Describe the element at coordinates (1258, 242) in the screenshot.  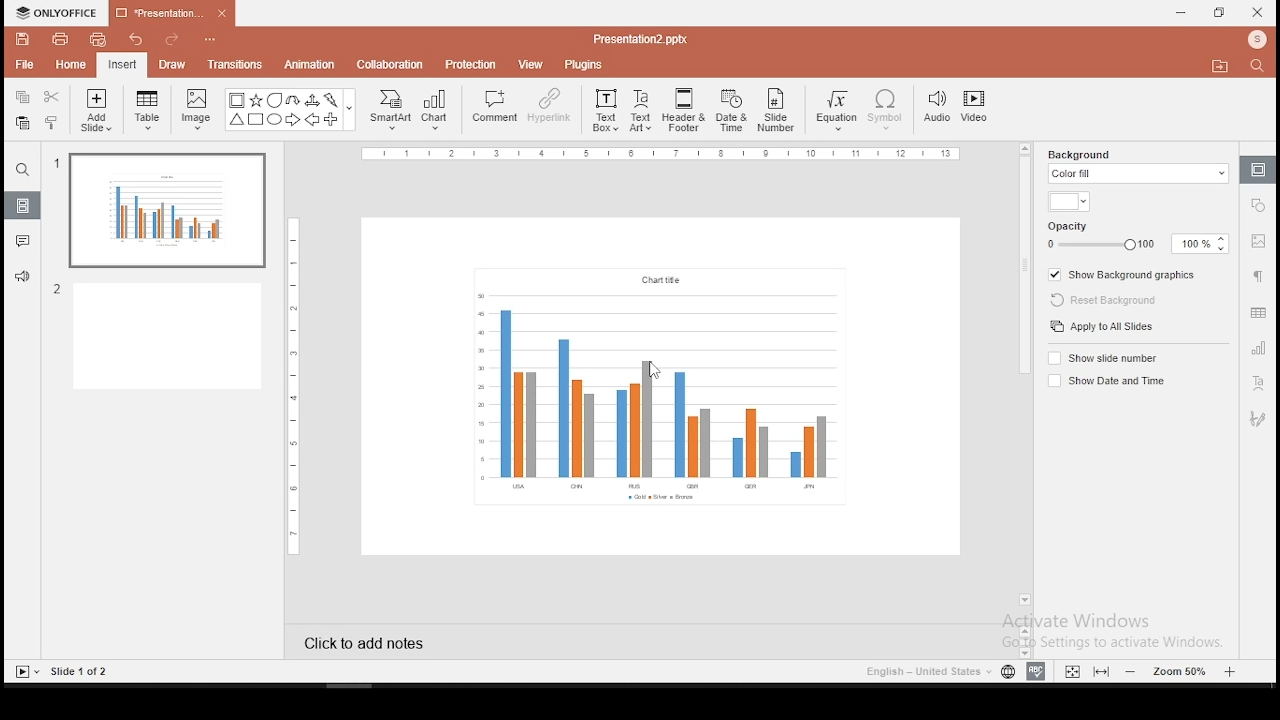
I see `image settings` at that location.